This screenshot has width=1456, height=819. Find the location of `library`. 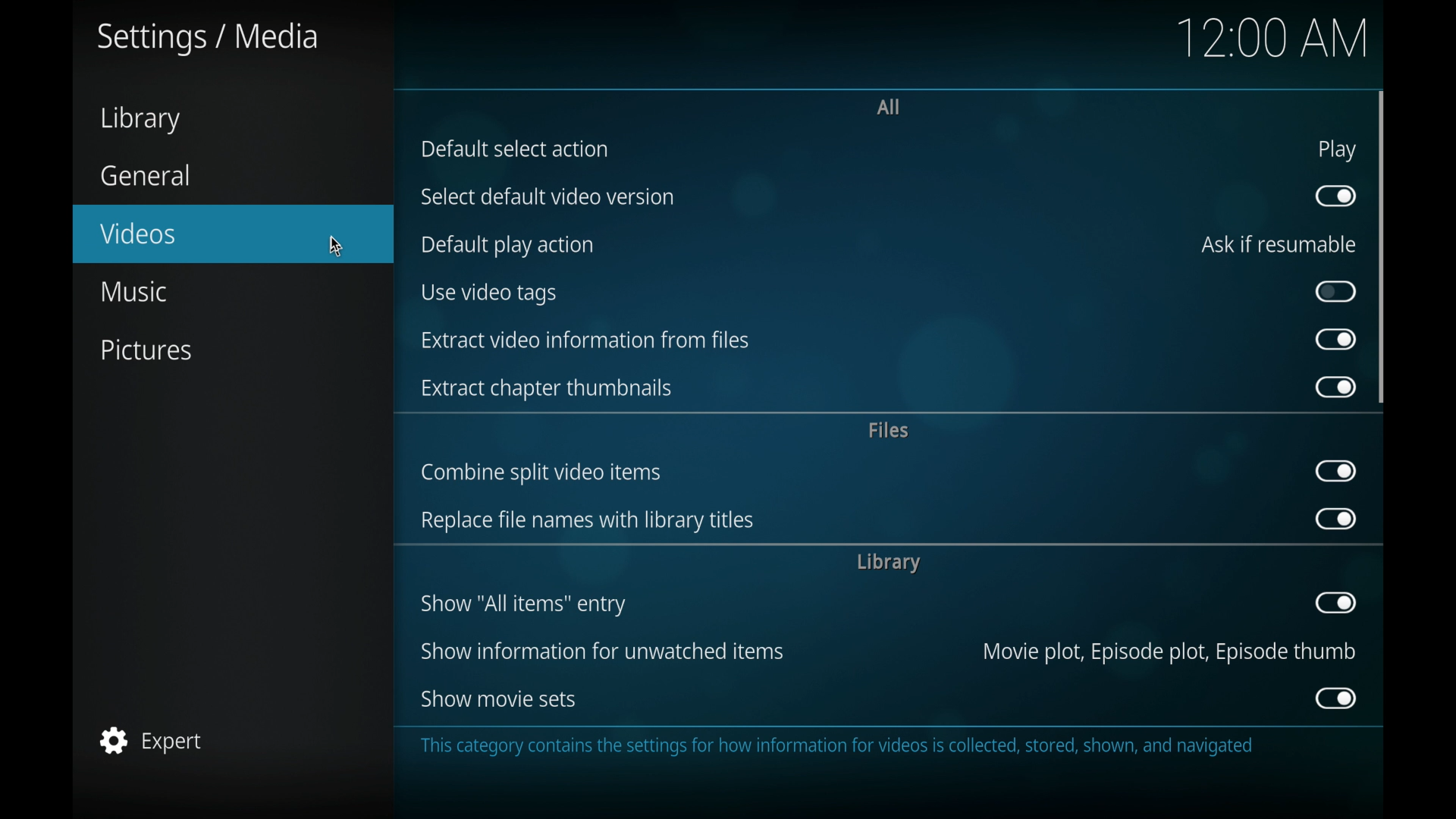

library is located at coordinates (888, 563).